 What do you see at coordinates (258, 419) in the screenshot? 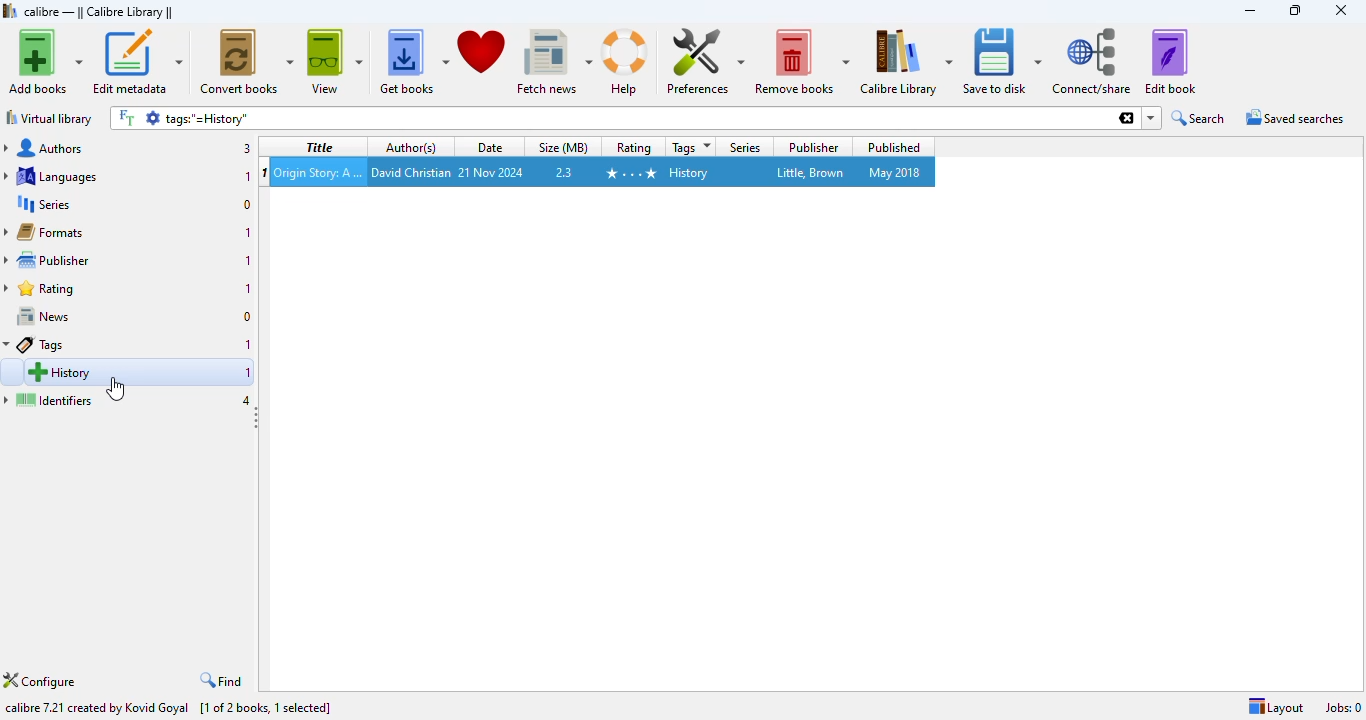
I see `toggle sidebar` at bounding box center [258, 419].